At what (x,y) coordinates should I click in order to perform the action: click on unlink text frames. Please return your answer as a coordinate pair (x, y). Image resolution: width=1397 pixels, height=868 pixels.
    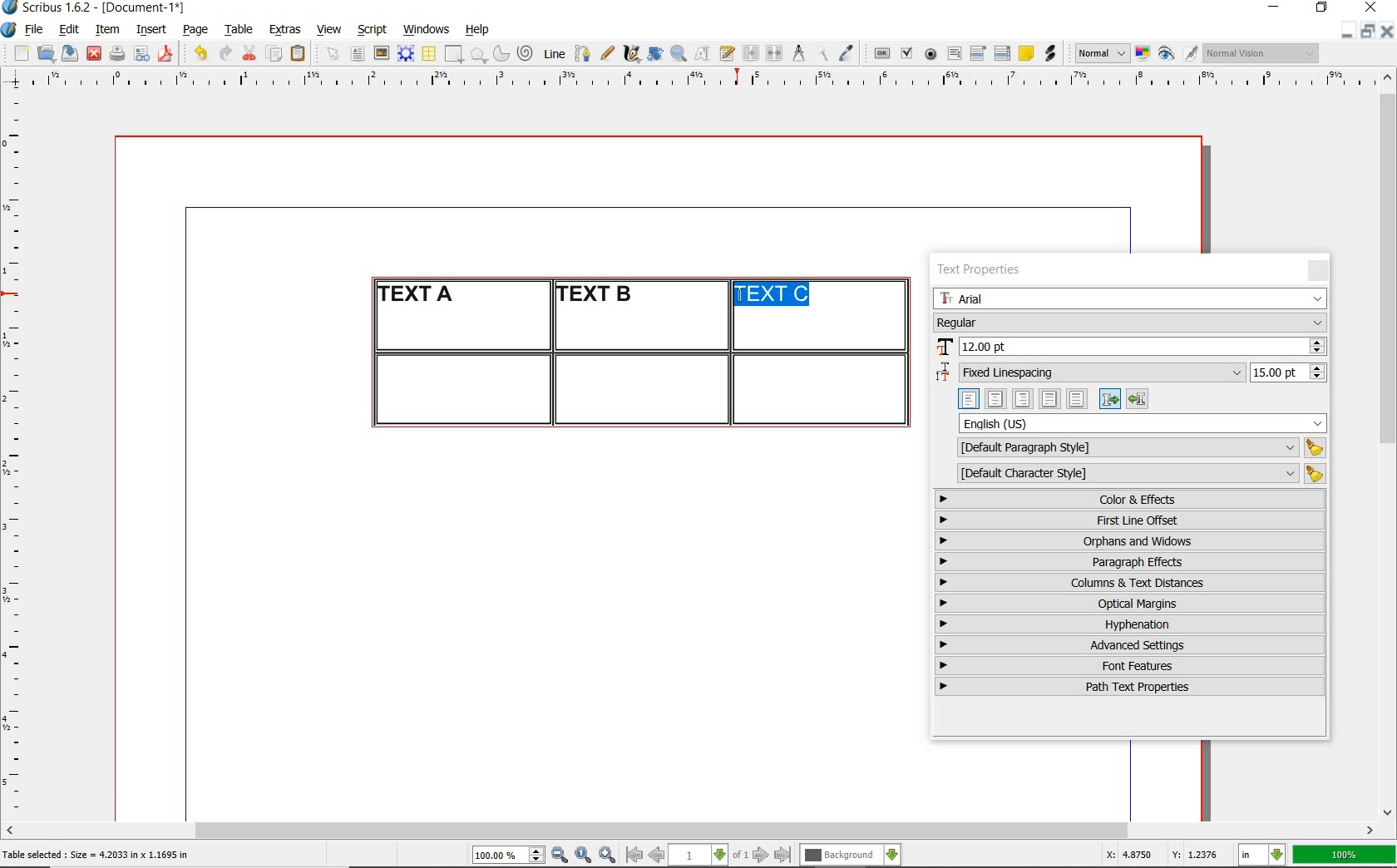
    Looking at the image, I should click on (774, 54).